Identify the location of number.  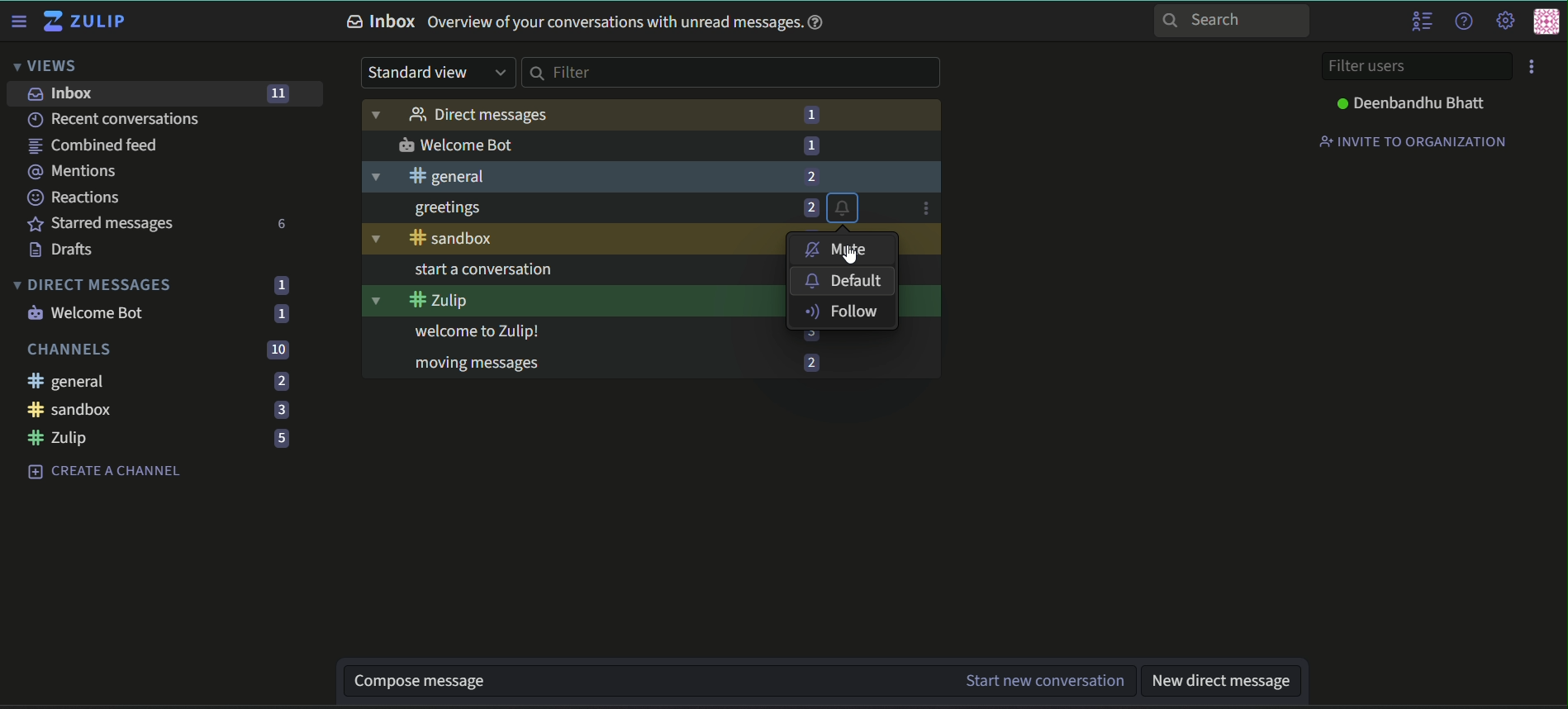
(812, 146).